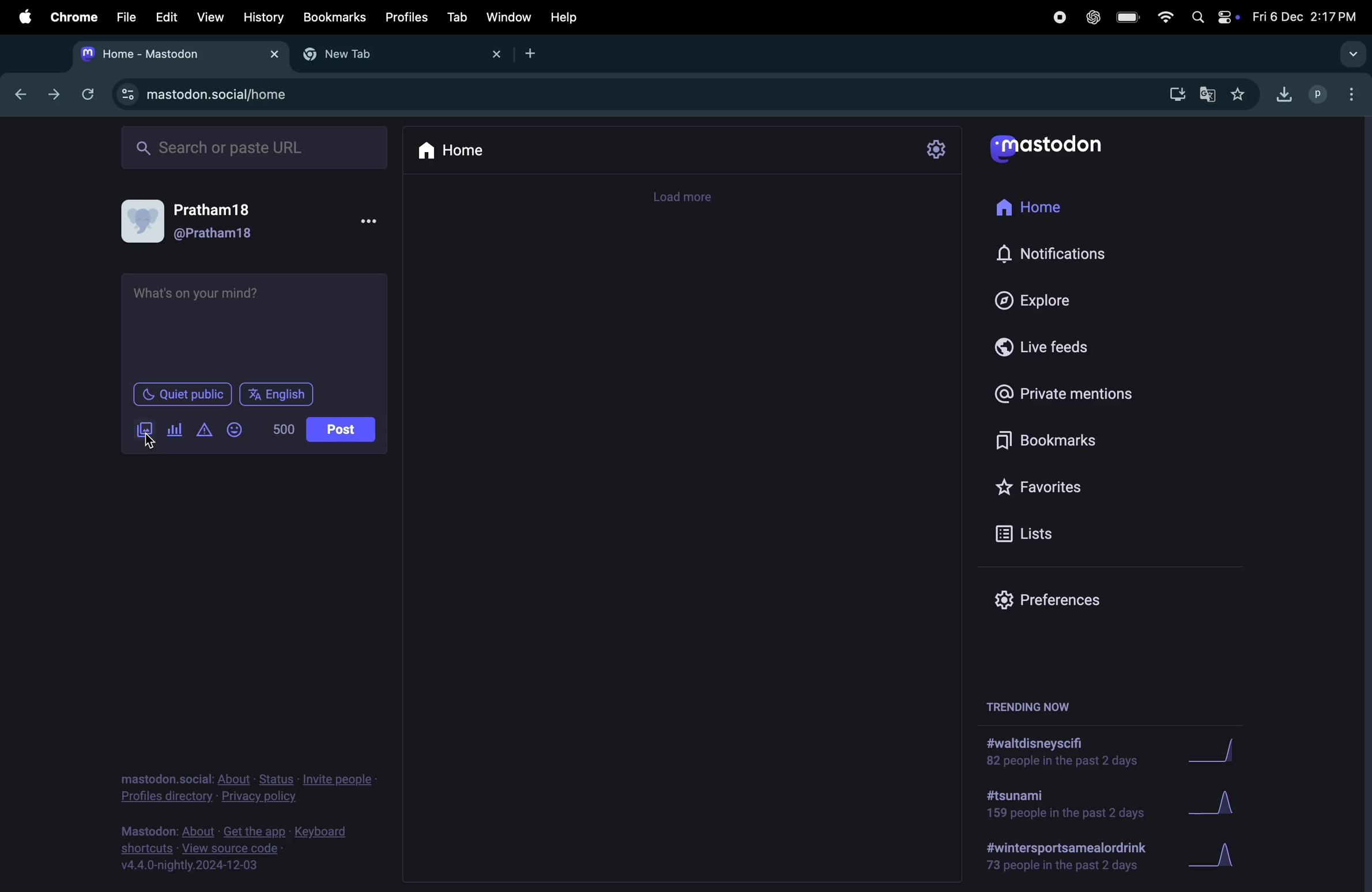 The height and width of the screenshot is (892, 1372). Describe the element at coordinates (689, 198) in the screenshot. I see `load more` at that location.